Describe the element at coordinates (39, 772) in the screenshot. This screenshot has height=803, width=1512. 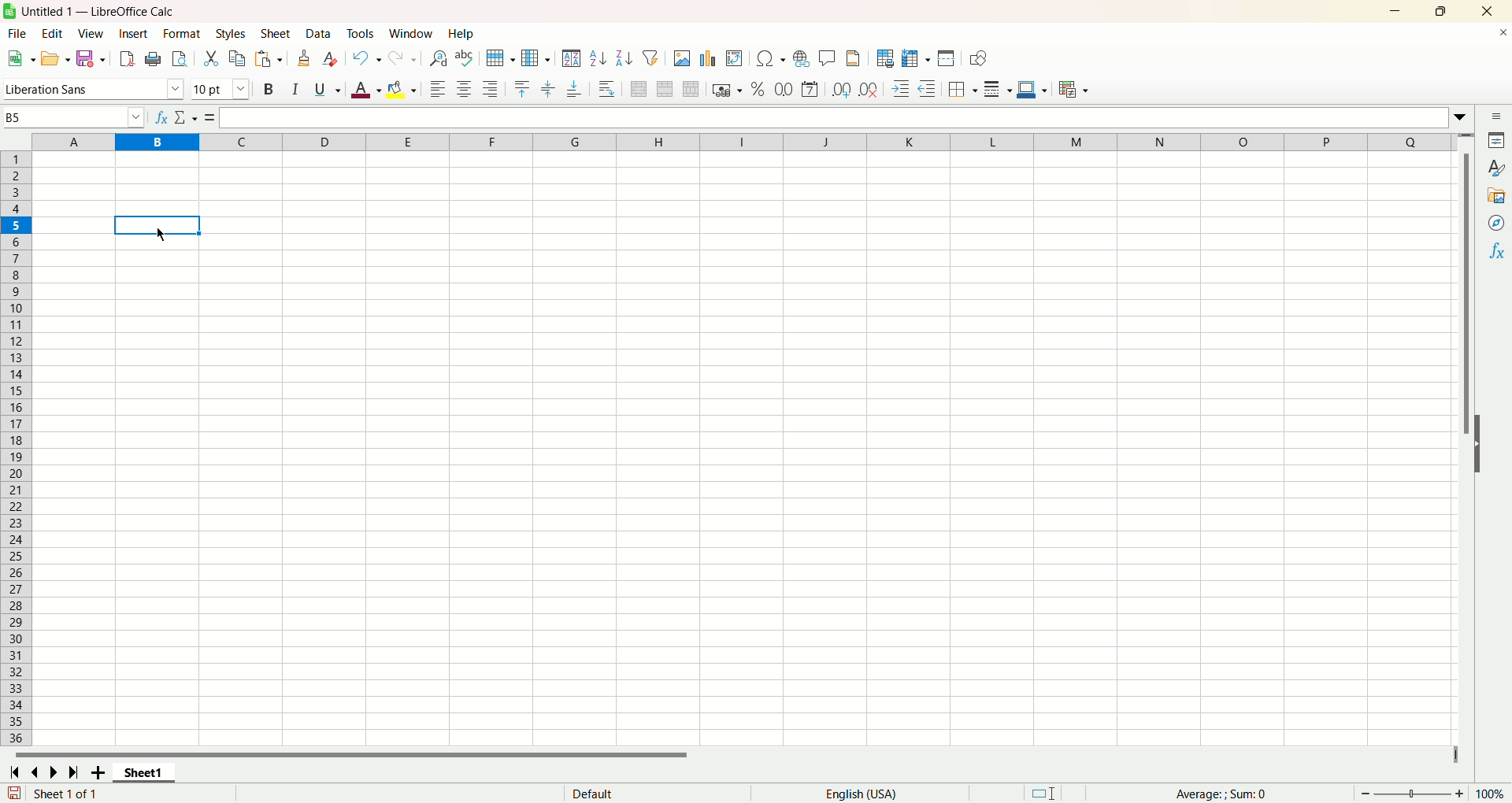
I see `scroll to previous sheet` at that location.